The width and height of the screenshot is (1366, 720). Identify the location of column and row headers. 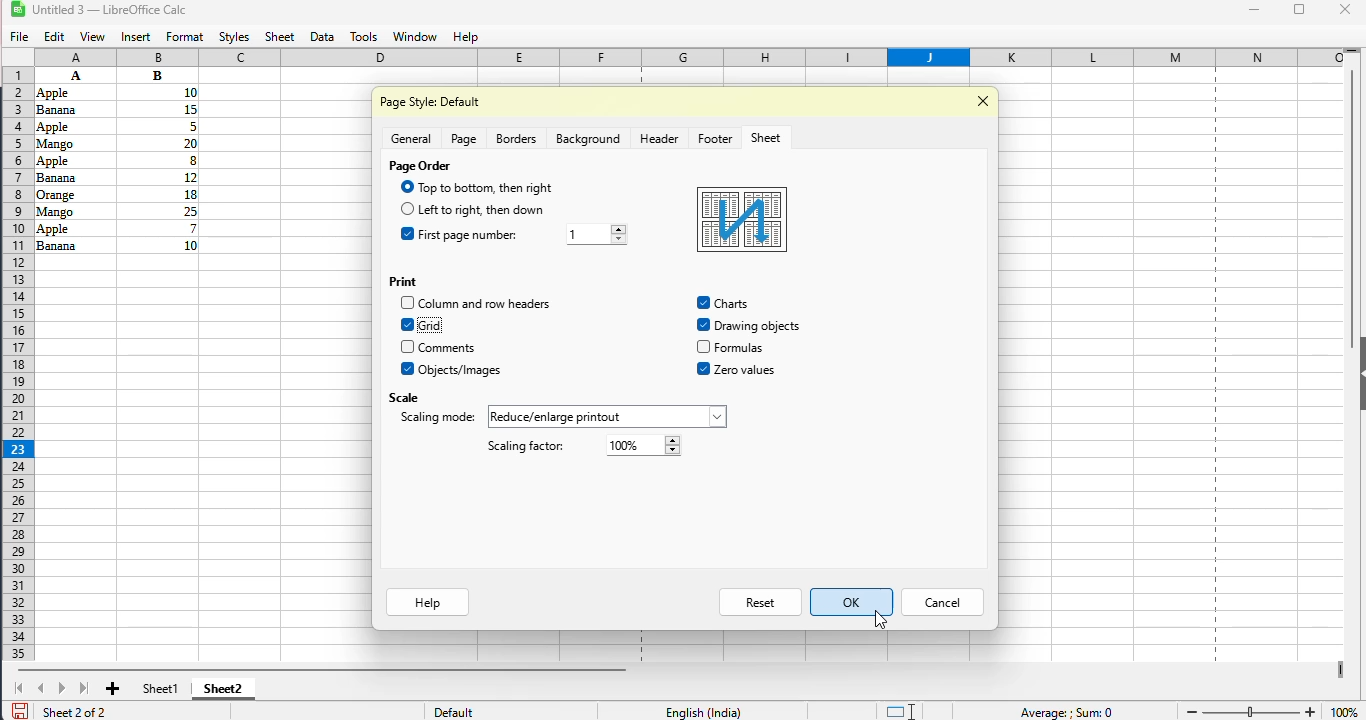
(486, 303).